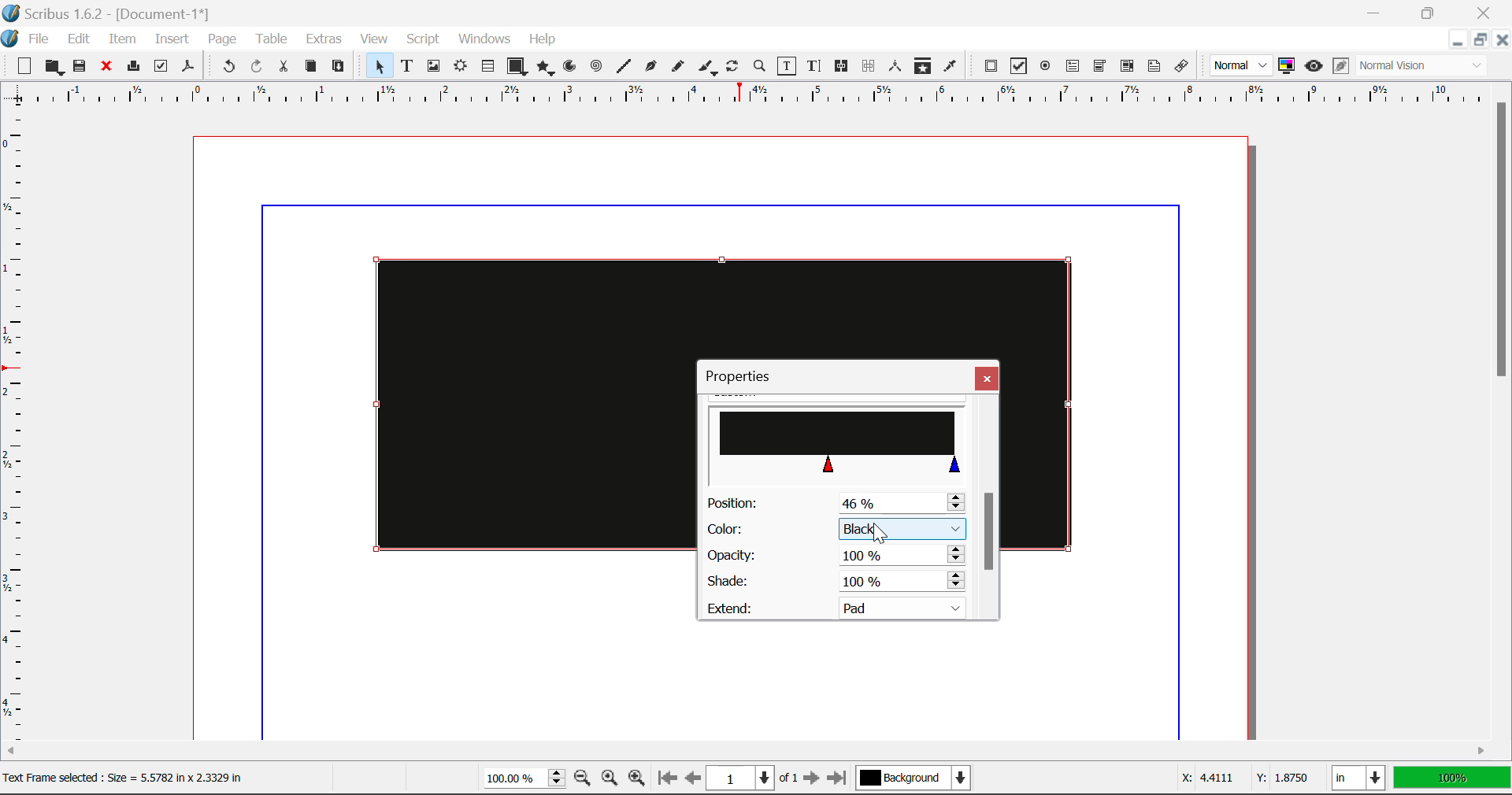 The width and height of the screenshot is (1512, 795). What do you see at coordinates (747, 753) in the screenshot?
I see `Scroll Bar` at bounding box center [747, 753].